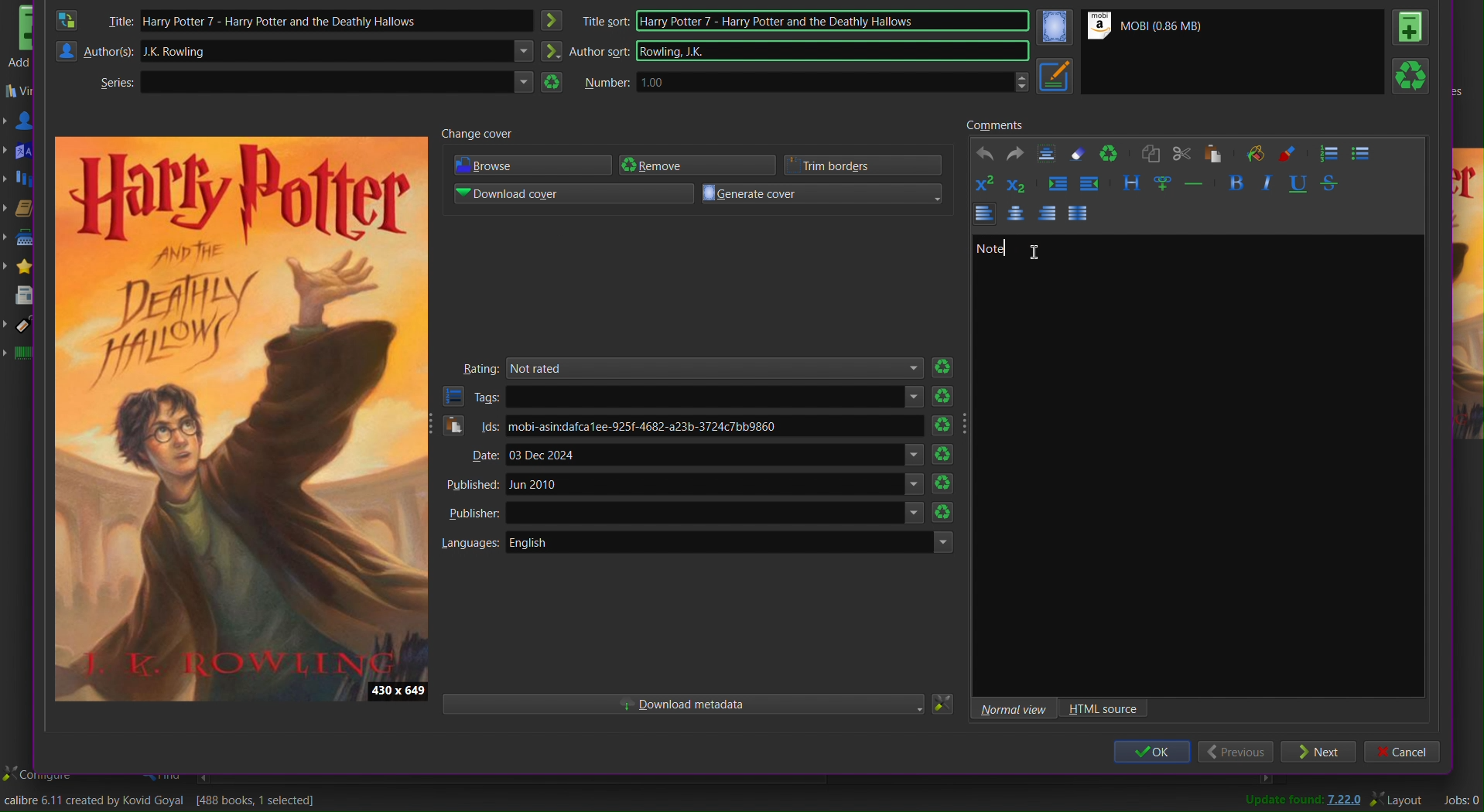  What do you see at coordinates (1260, 153) in the screenshot?
I see `Background color` at bounding box center [1260, 153].